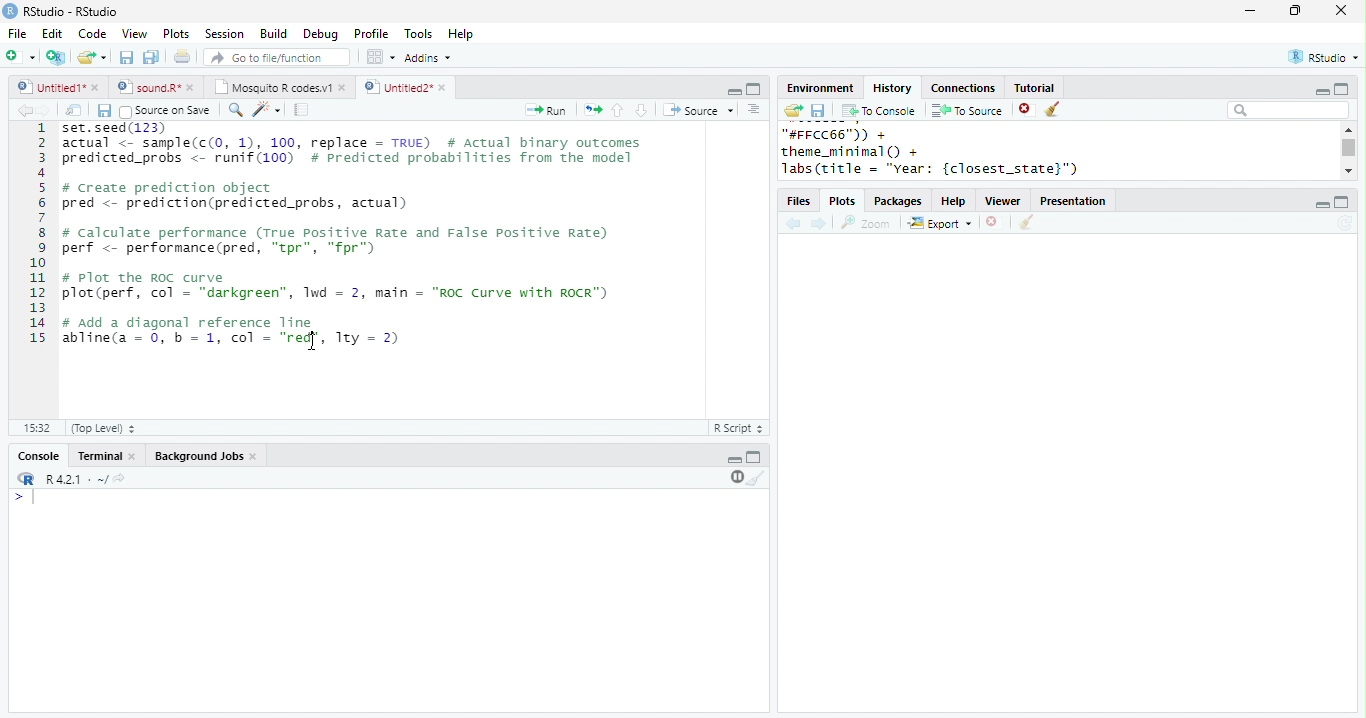 The image size is (1366, 718). Describe the element at coordinates (754, 109) in the screenshot. I see `options` at that location.